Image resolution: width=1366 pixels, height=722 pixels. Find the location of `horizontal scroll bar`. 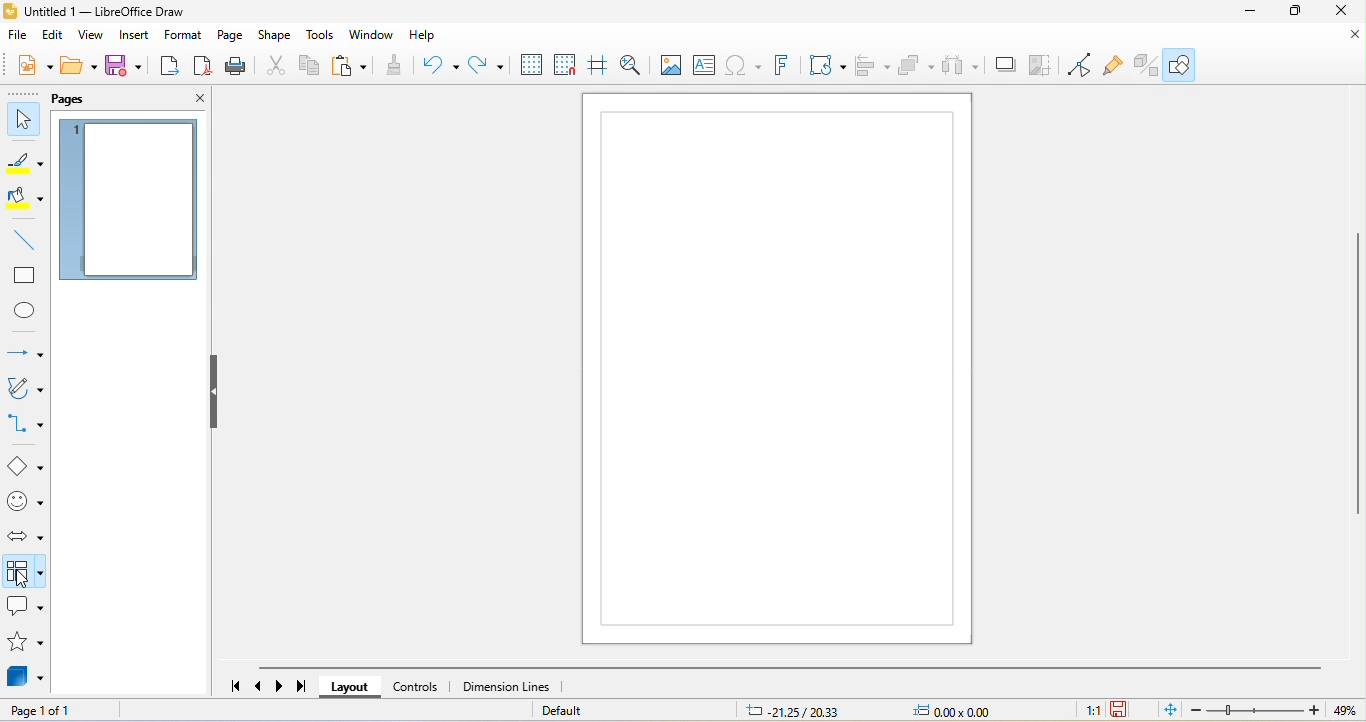

horizontal scroll bar is located at coordinates (789, 667).